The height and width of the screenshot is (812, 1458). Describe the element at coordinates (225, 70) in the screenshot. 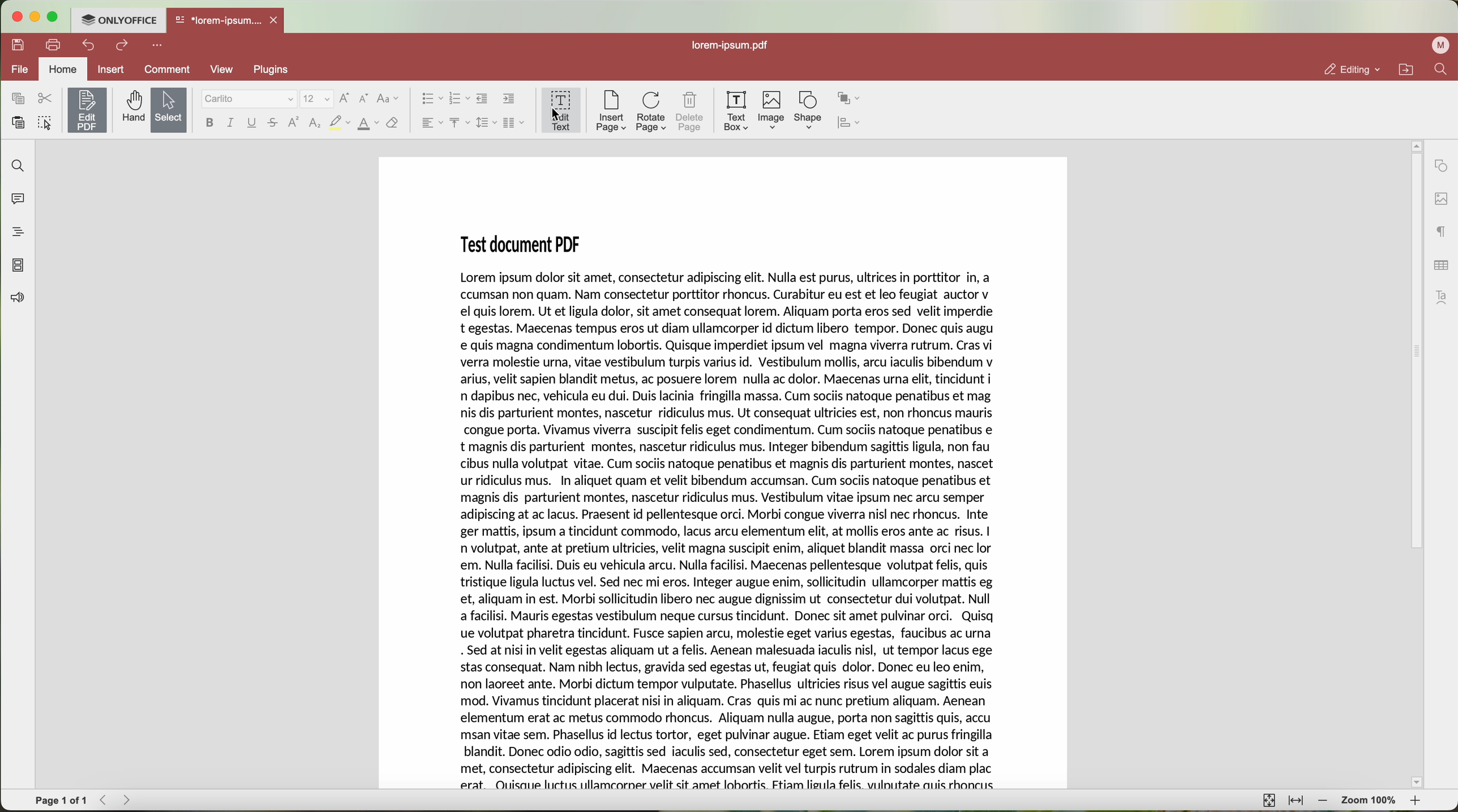

I see `View` at that location.